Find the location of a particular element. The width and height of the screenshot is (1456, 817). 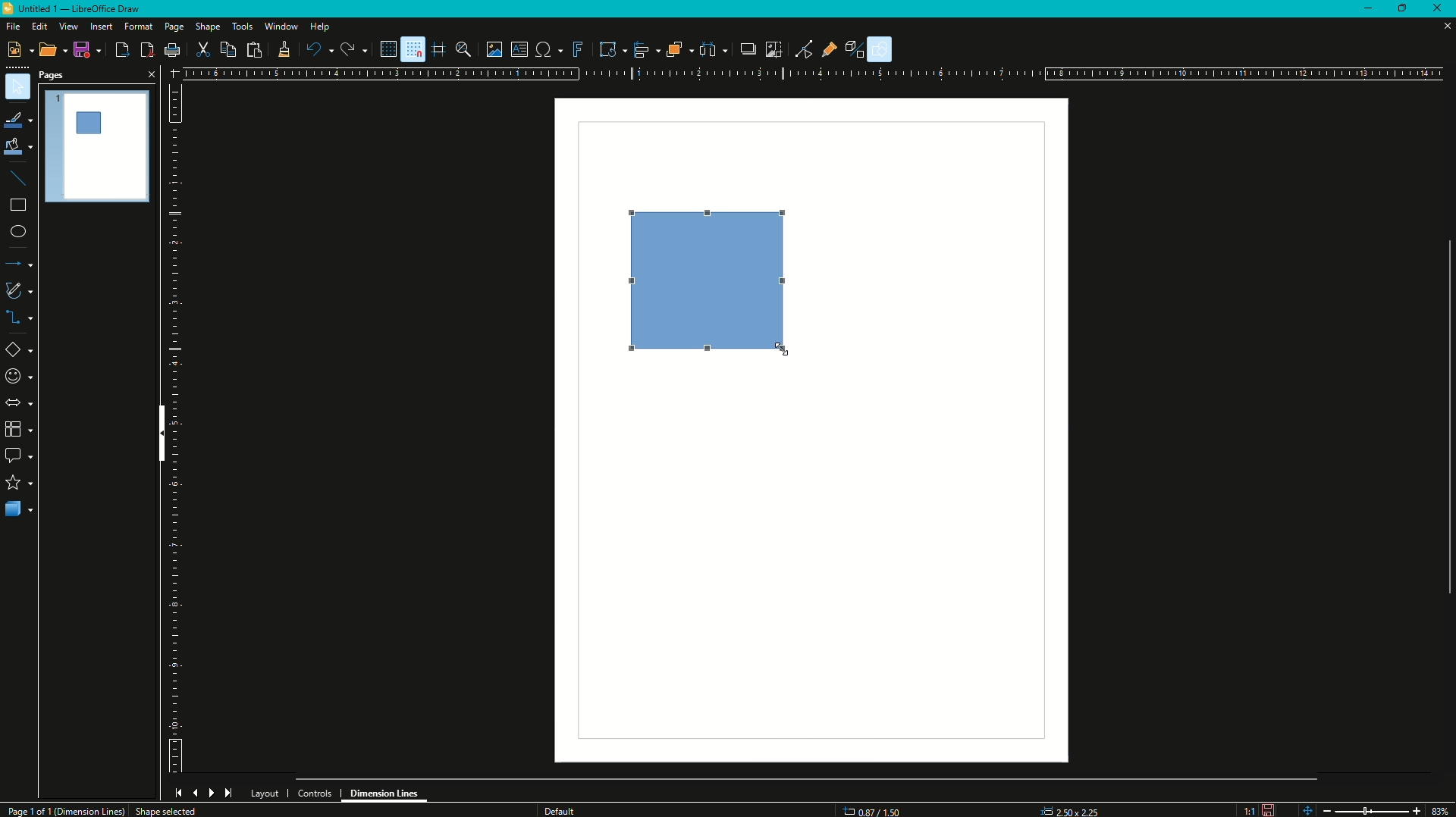

Help is located at coordinates (320, 28).